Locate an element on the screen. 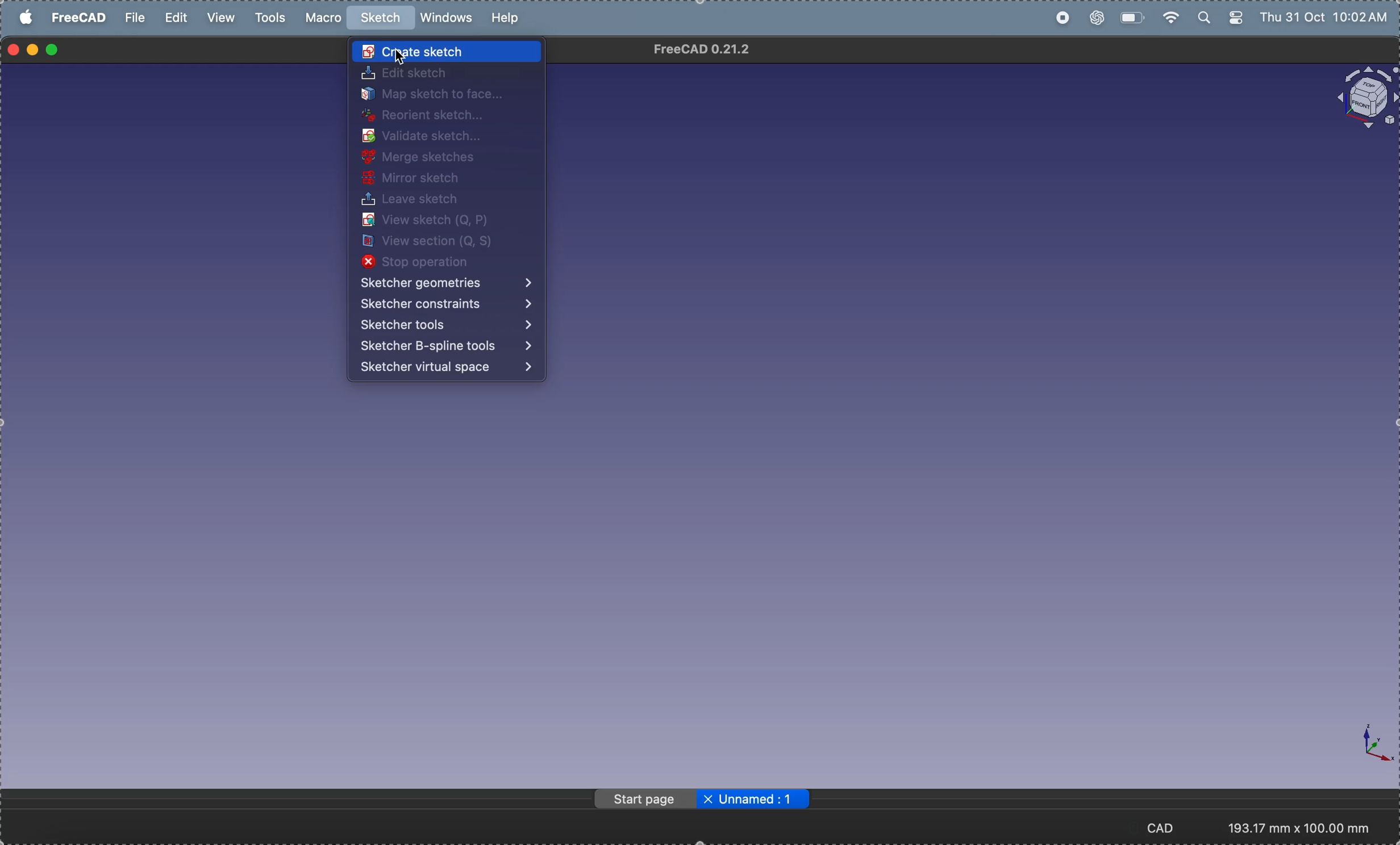 The width and height of the screenshot is (1400, 845). object view is located at coordinates (1365, 98).